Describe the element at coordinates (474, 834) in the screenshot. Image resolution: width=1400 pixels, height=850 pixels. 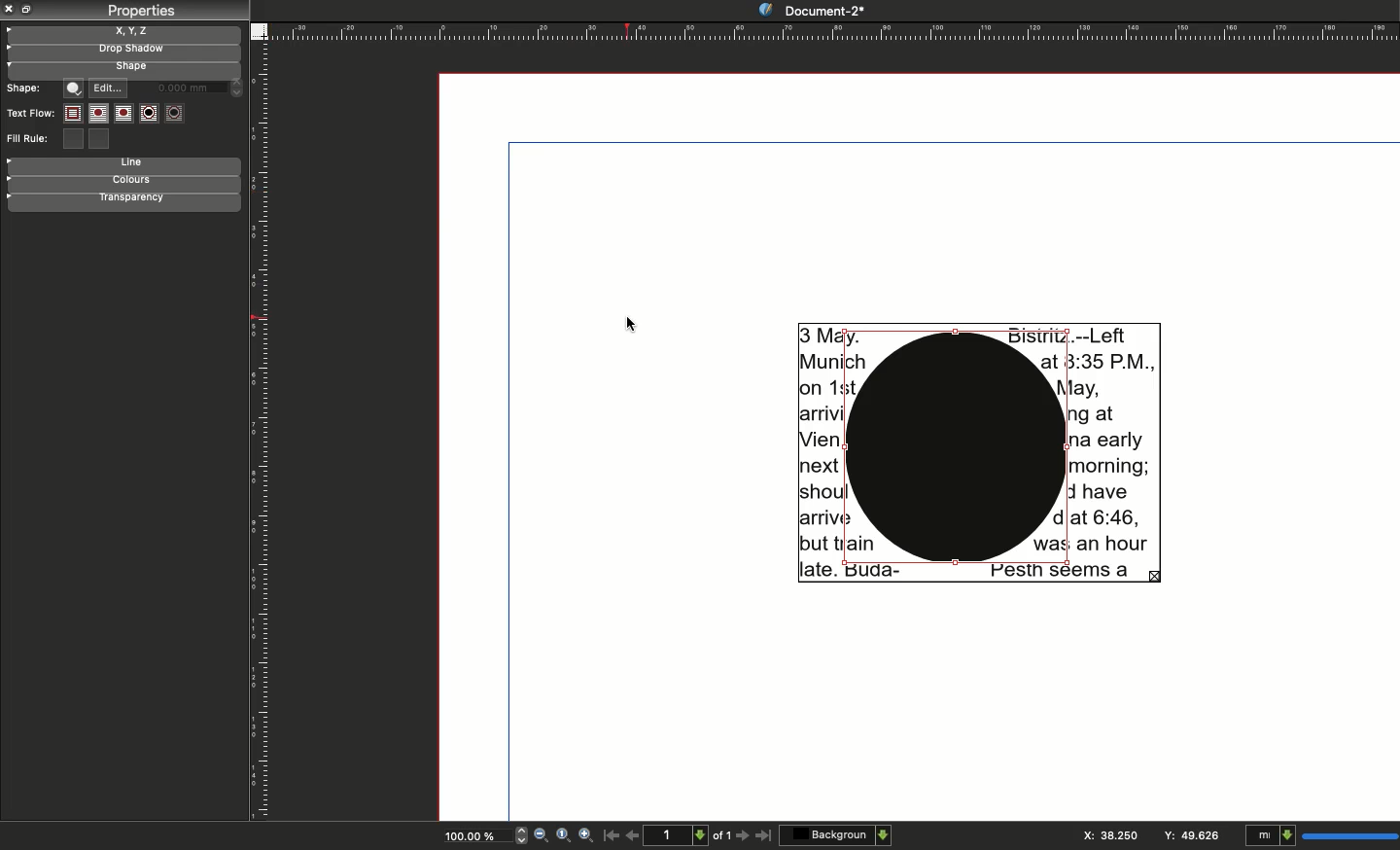
I see `Zoom` at that location.